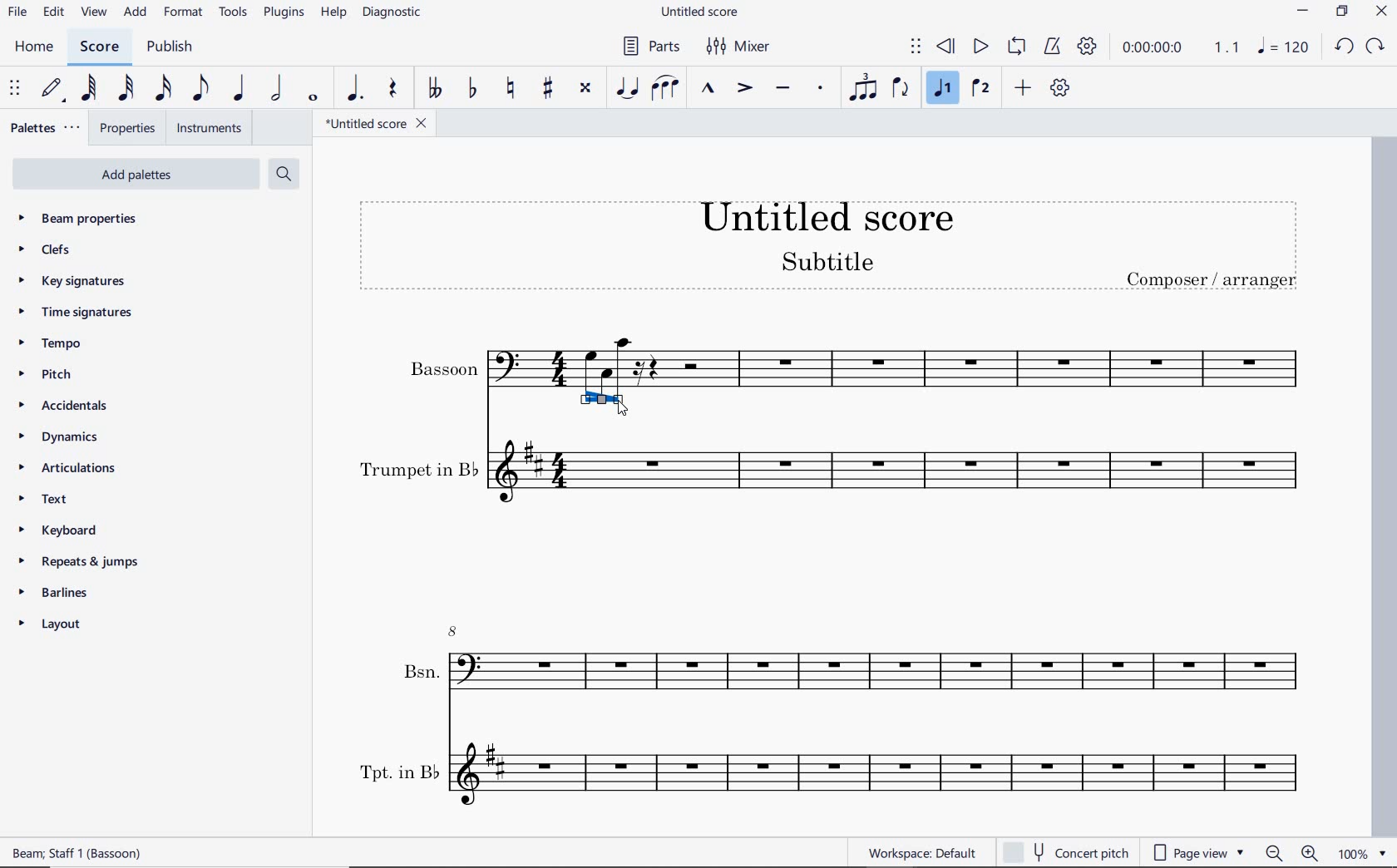 This screenshot has height=868, width=1397. What do you see at coordinates (847, 777) in the screenshot?
I see `Tpt. in B` at bounding box center [847, 777].